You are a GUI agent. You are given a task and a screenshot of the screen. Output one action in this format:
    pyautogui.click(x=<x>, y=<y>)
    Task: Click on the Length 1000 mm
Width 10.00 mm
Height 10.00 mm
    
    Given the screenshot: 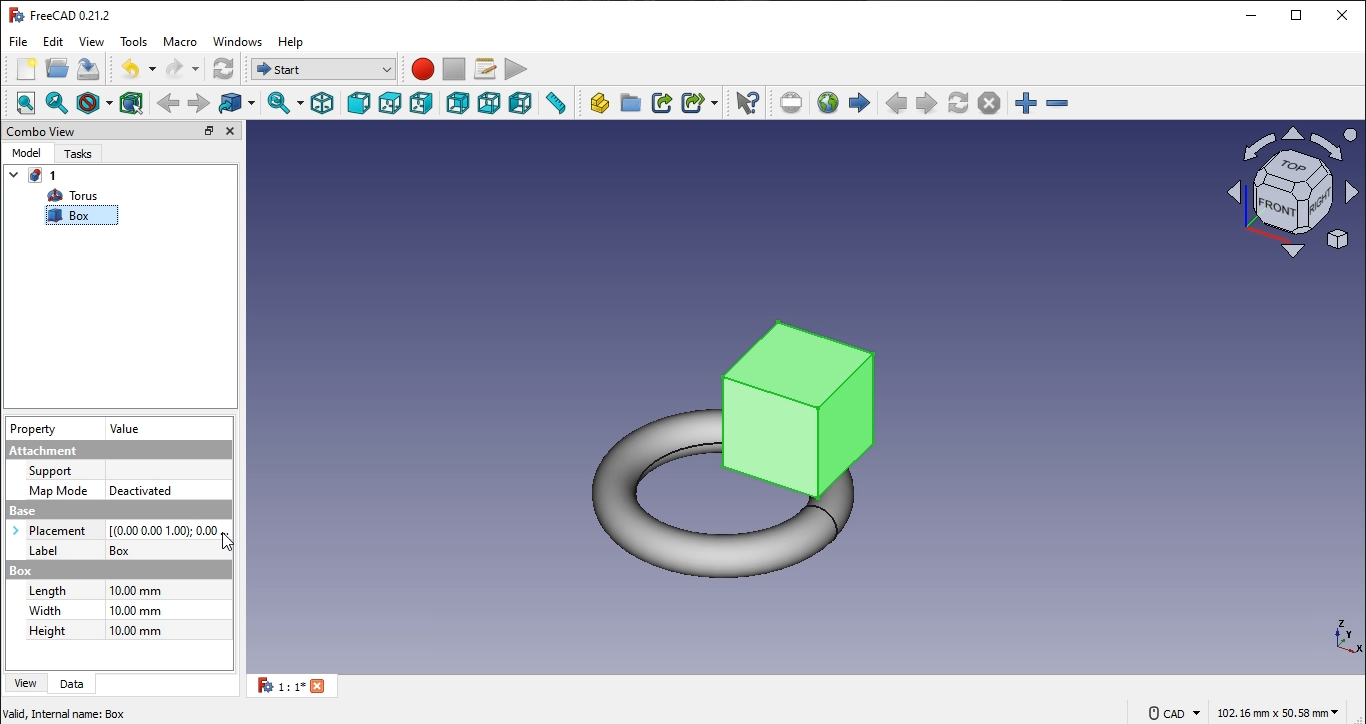 What is the action you would take?
    pyautogui.click(x=121, y=615)
    